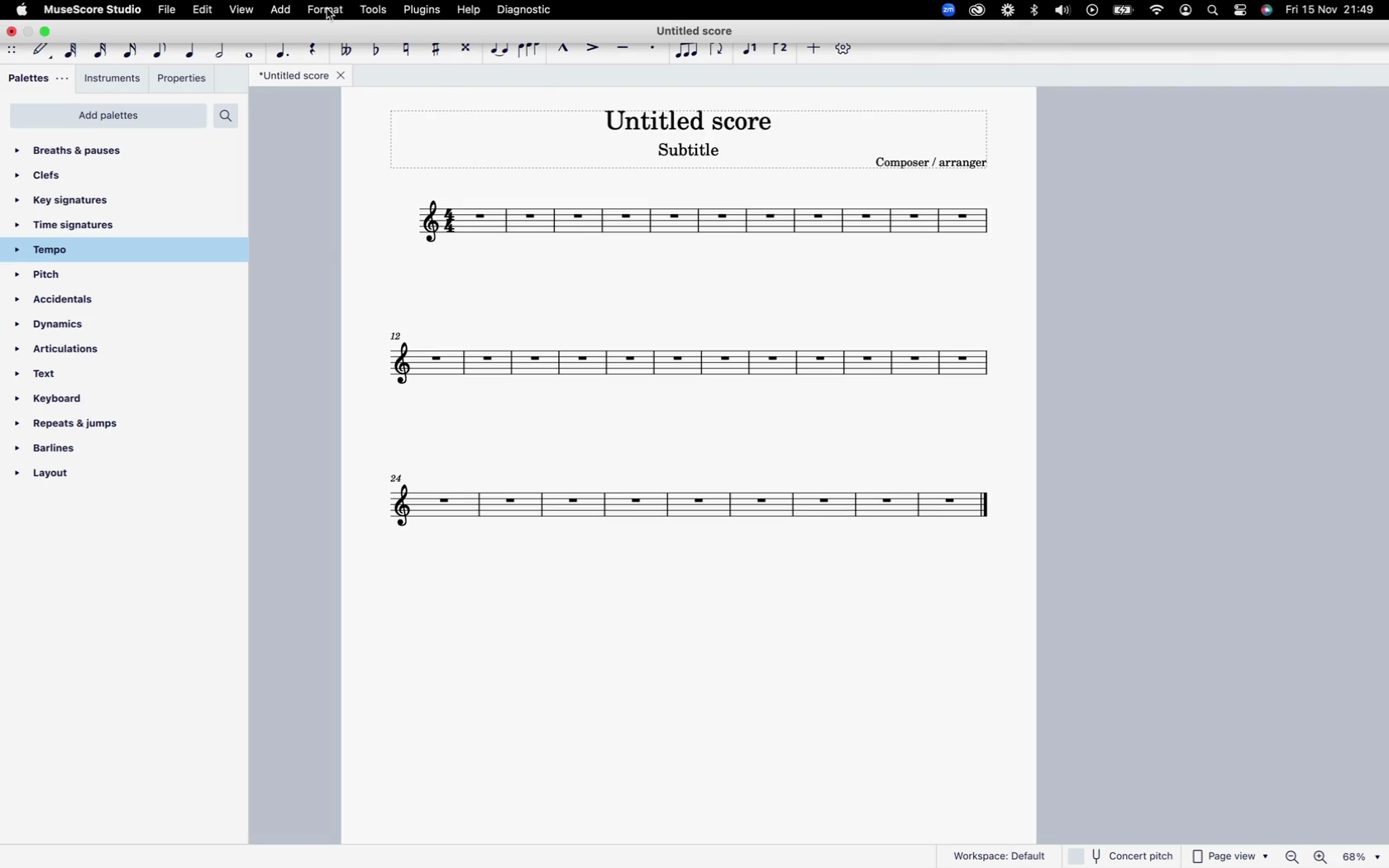 This screenshot has height=868, width=1389. I want to click on search, so click(1215, 12).